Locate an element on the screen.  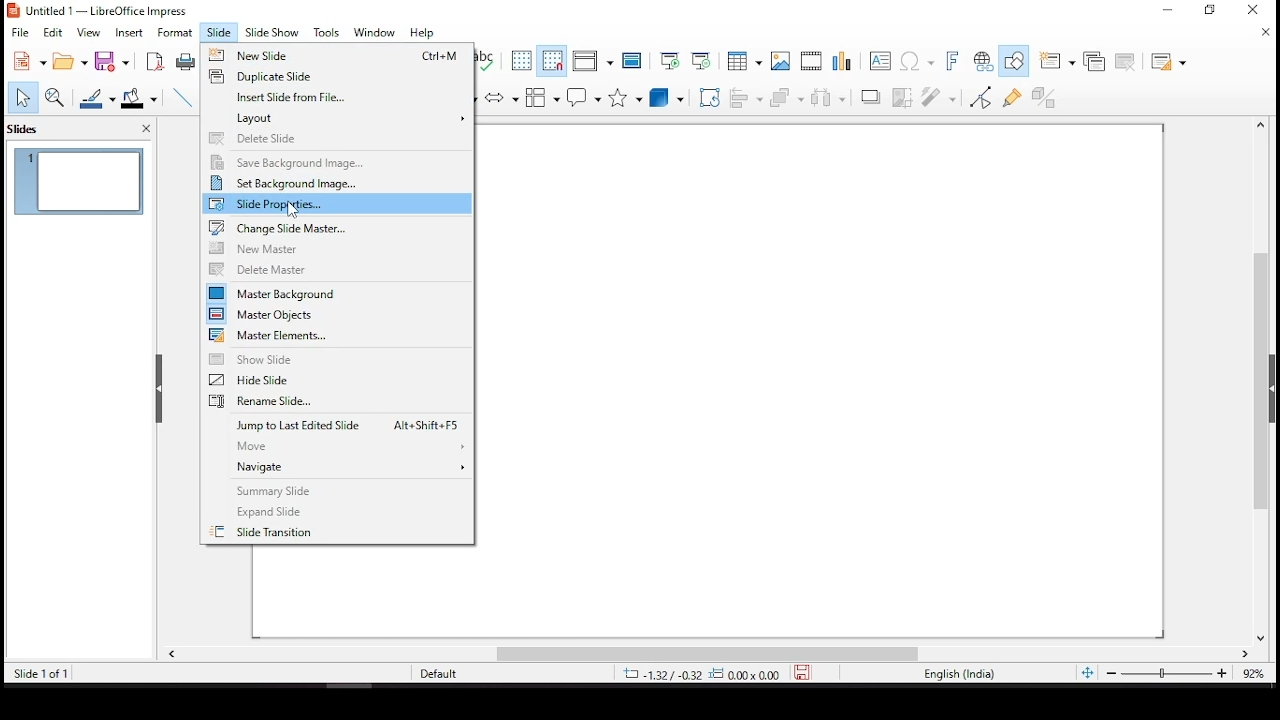
slide properties is located at coordinates (338, 204).